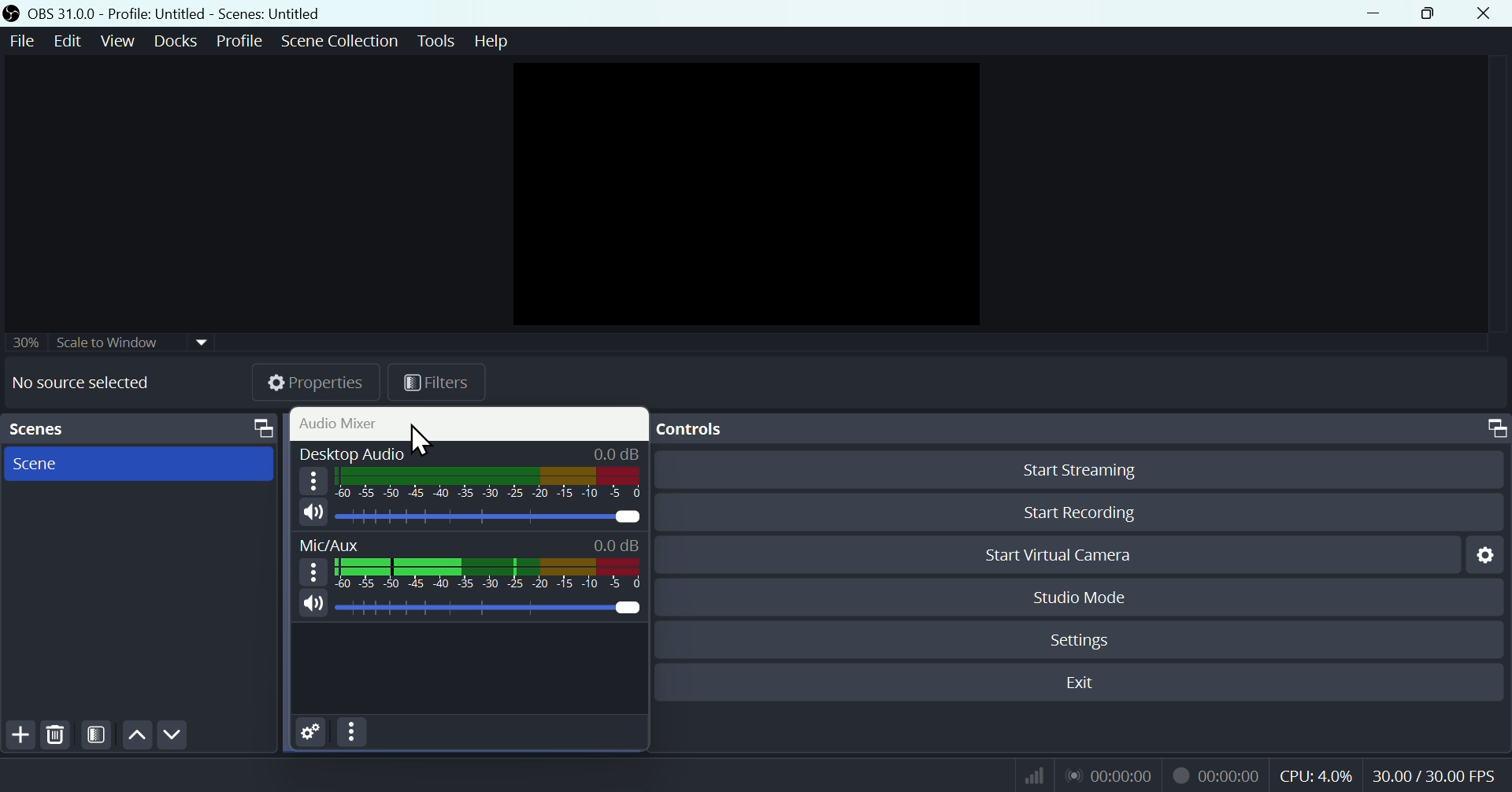 Image resolution: width=1512 pixels, height=792 pixels. What do you see at coordinates (485, 608) in the screenshot?
I see `Mic/Aux` at bounding box center [485, 608].